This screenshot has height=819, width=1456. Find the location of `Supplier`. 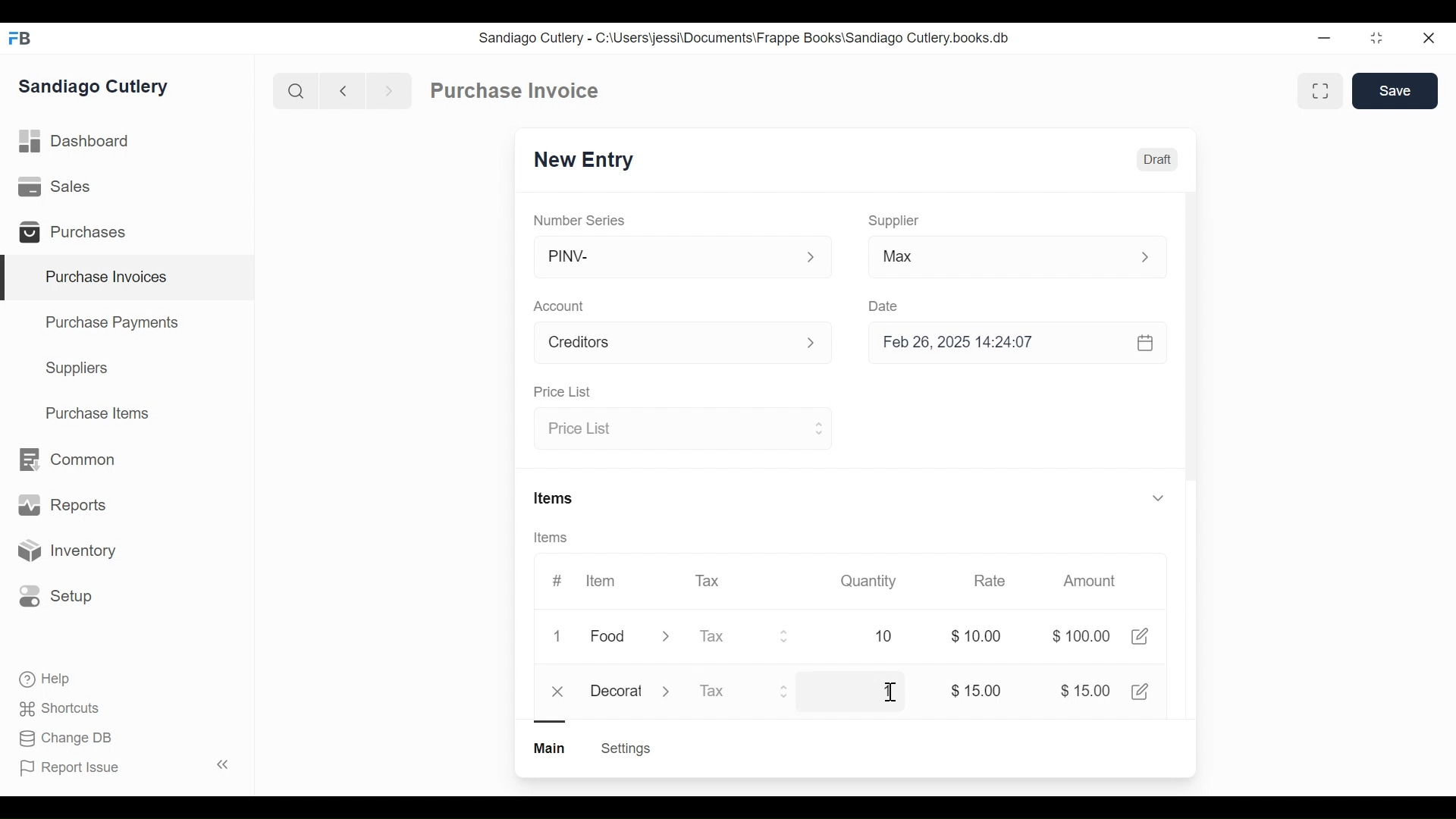

Supplier is located at coordinates (894, 221).